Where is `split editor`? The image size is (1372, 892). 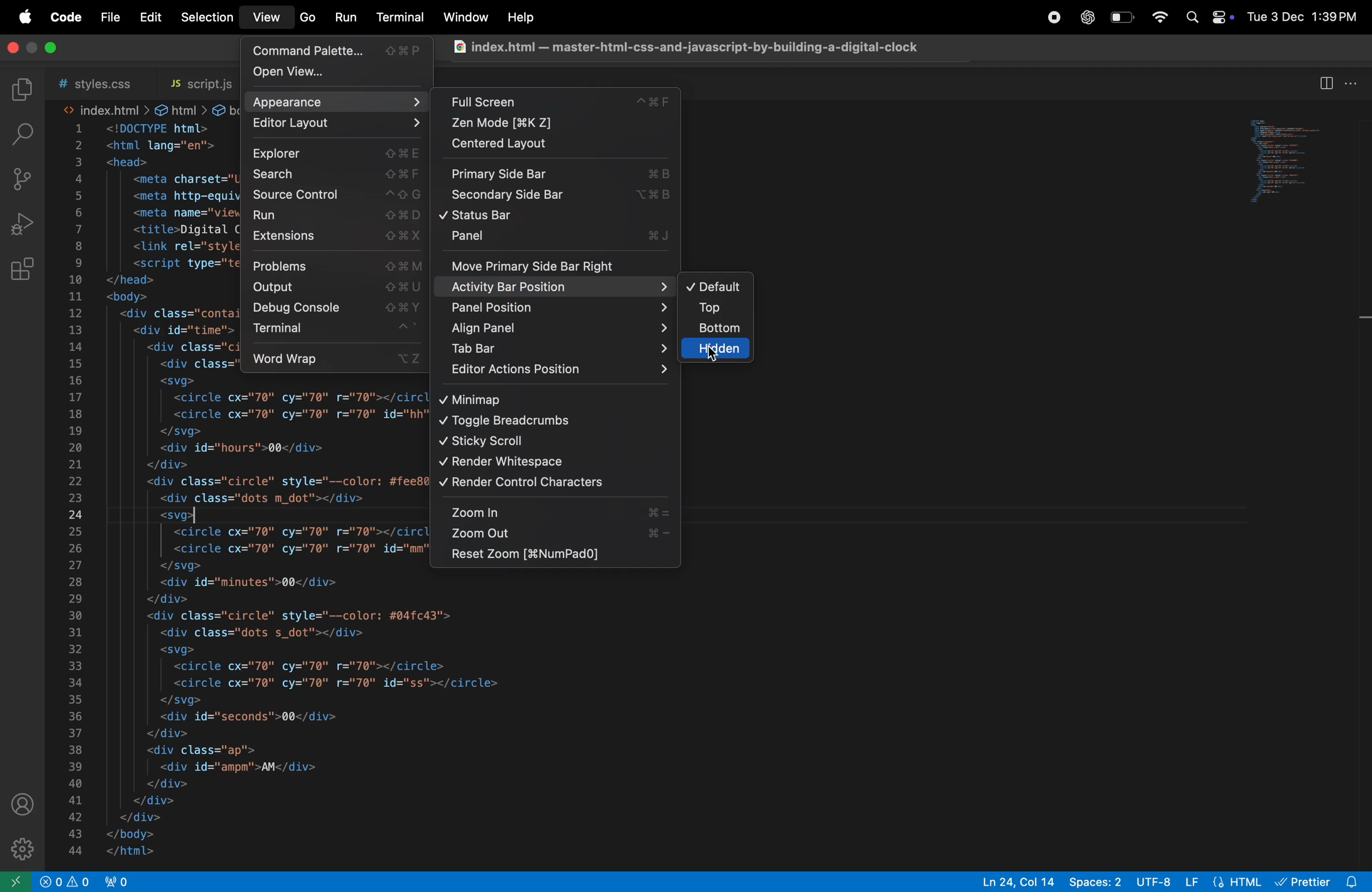 split editor is located at coordinates (1325, 83).